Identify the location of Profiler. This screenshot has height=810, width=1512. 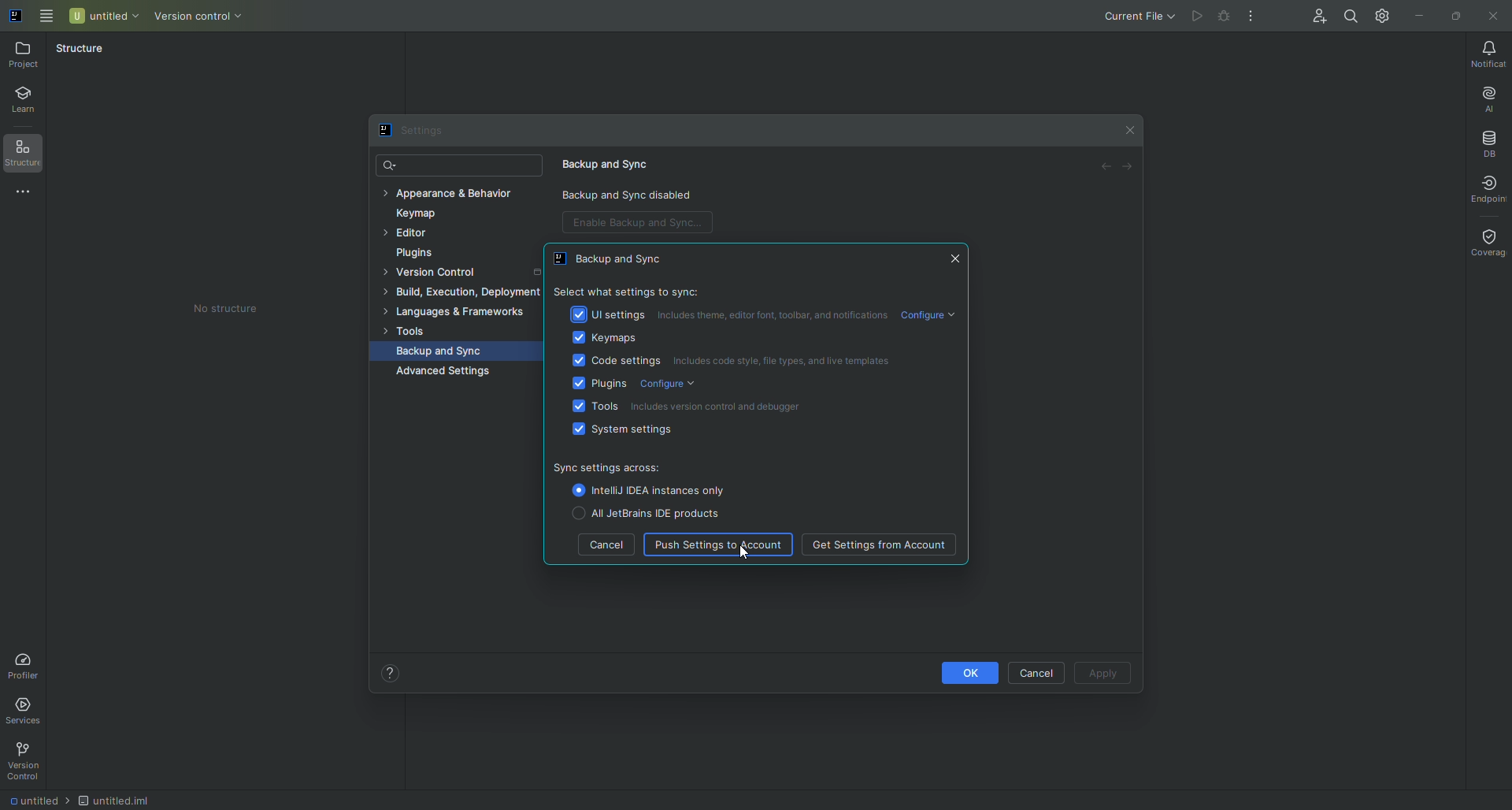
(24, 663).